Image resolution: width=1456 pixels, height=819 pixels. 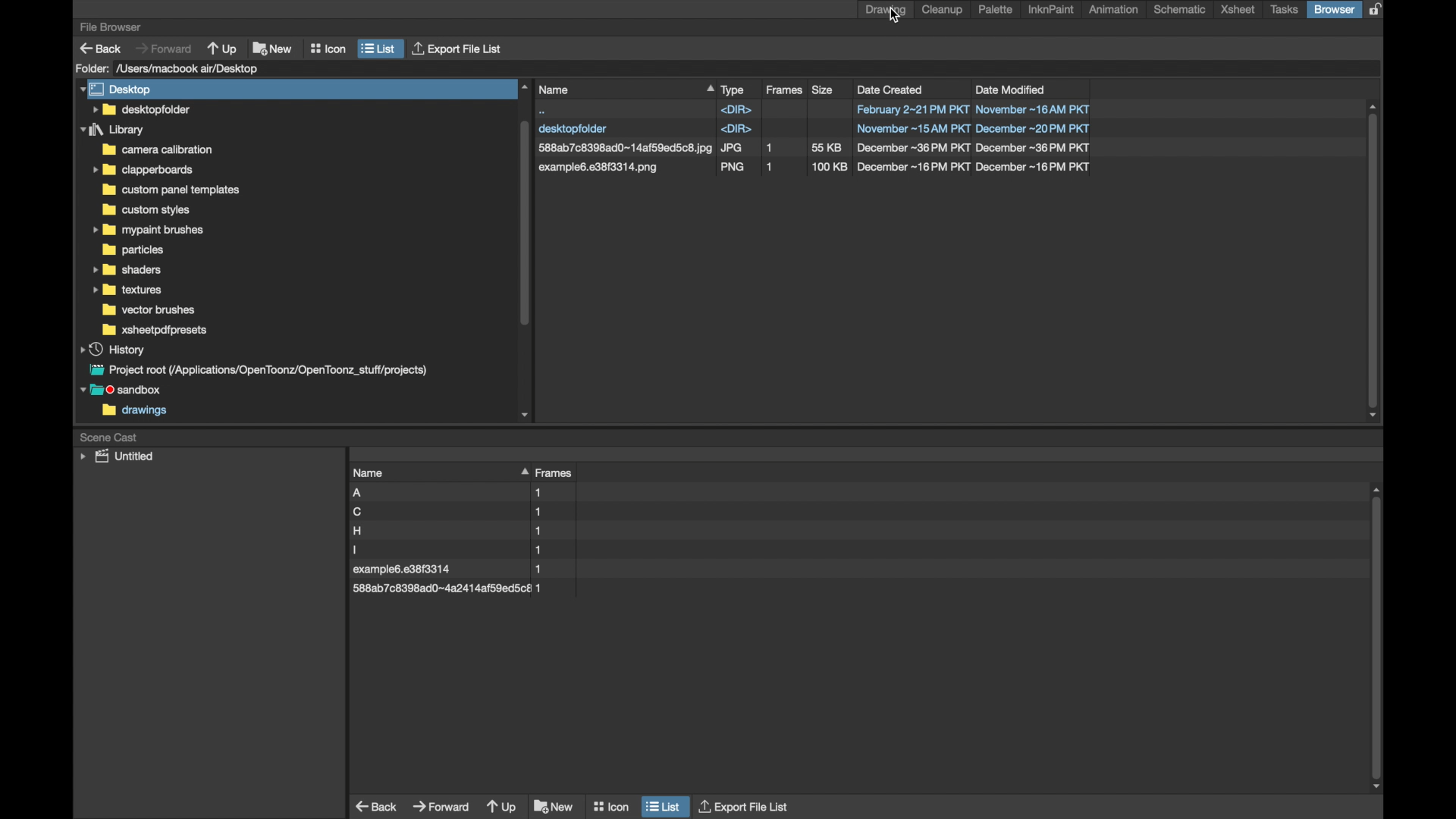 What do you see at coordinates (113, 130) in the screenshot?
I see `folder` at bounding box center [113, 130].